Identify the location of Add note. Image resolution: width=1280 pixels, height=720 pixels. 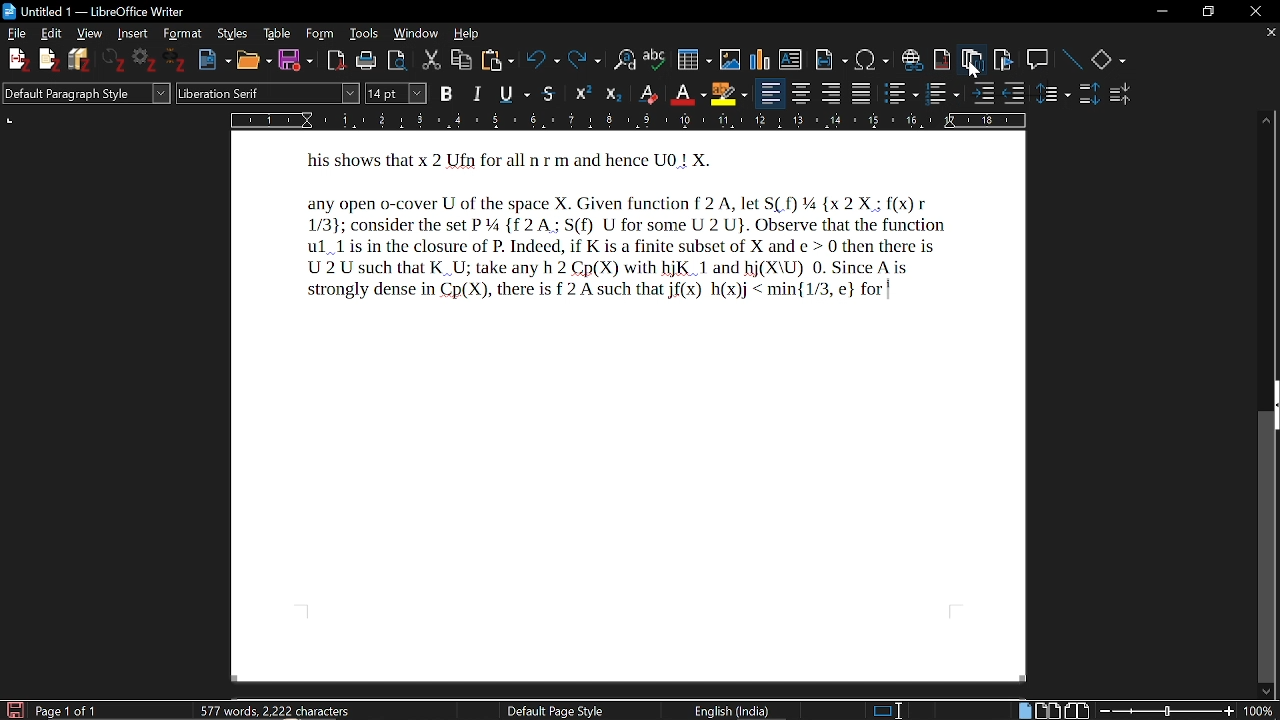
(50, 60).